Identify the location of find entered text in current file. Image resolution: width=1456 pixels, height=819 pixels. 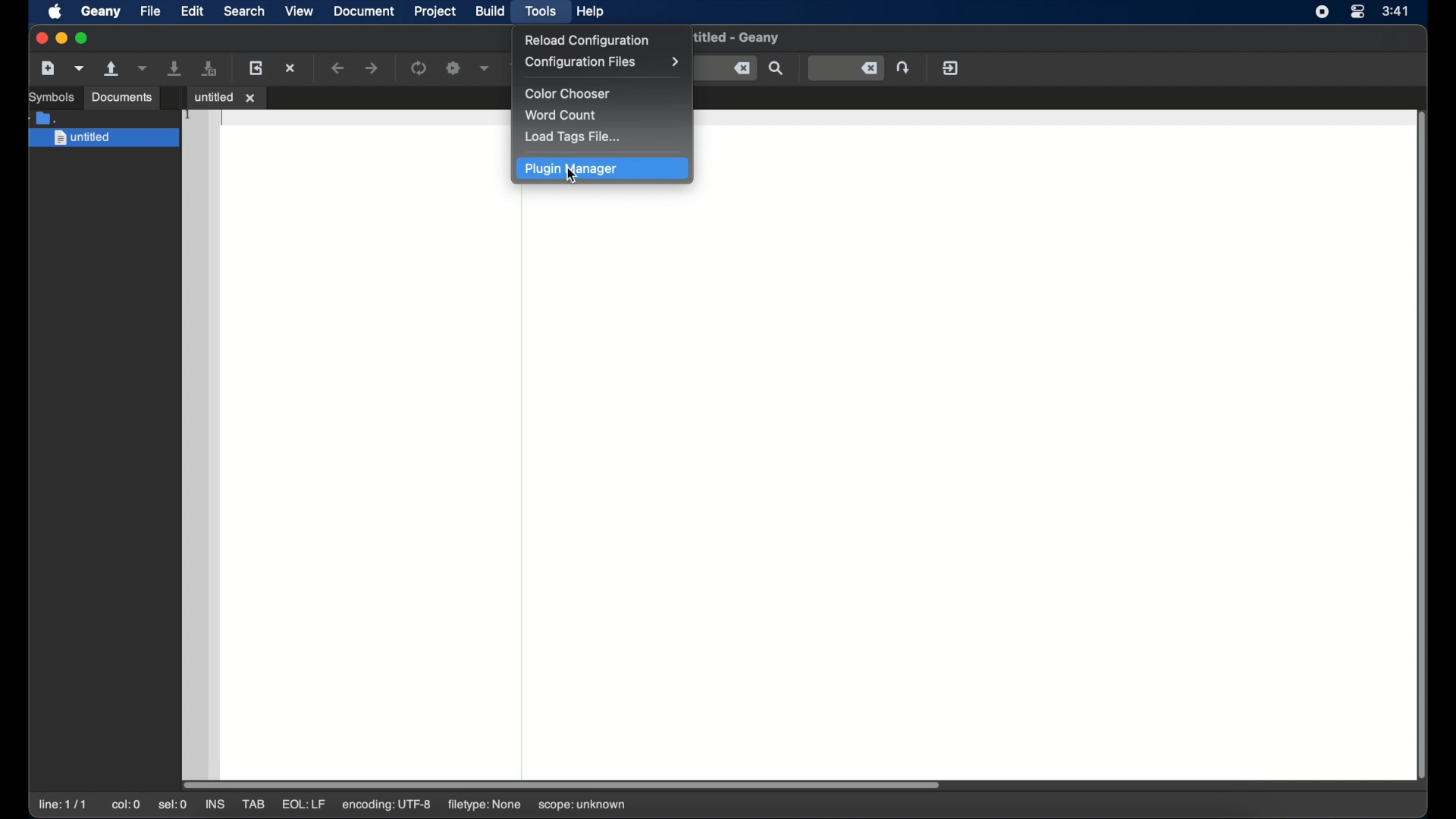
(777, 69).